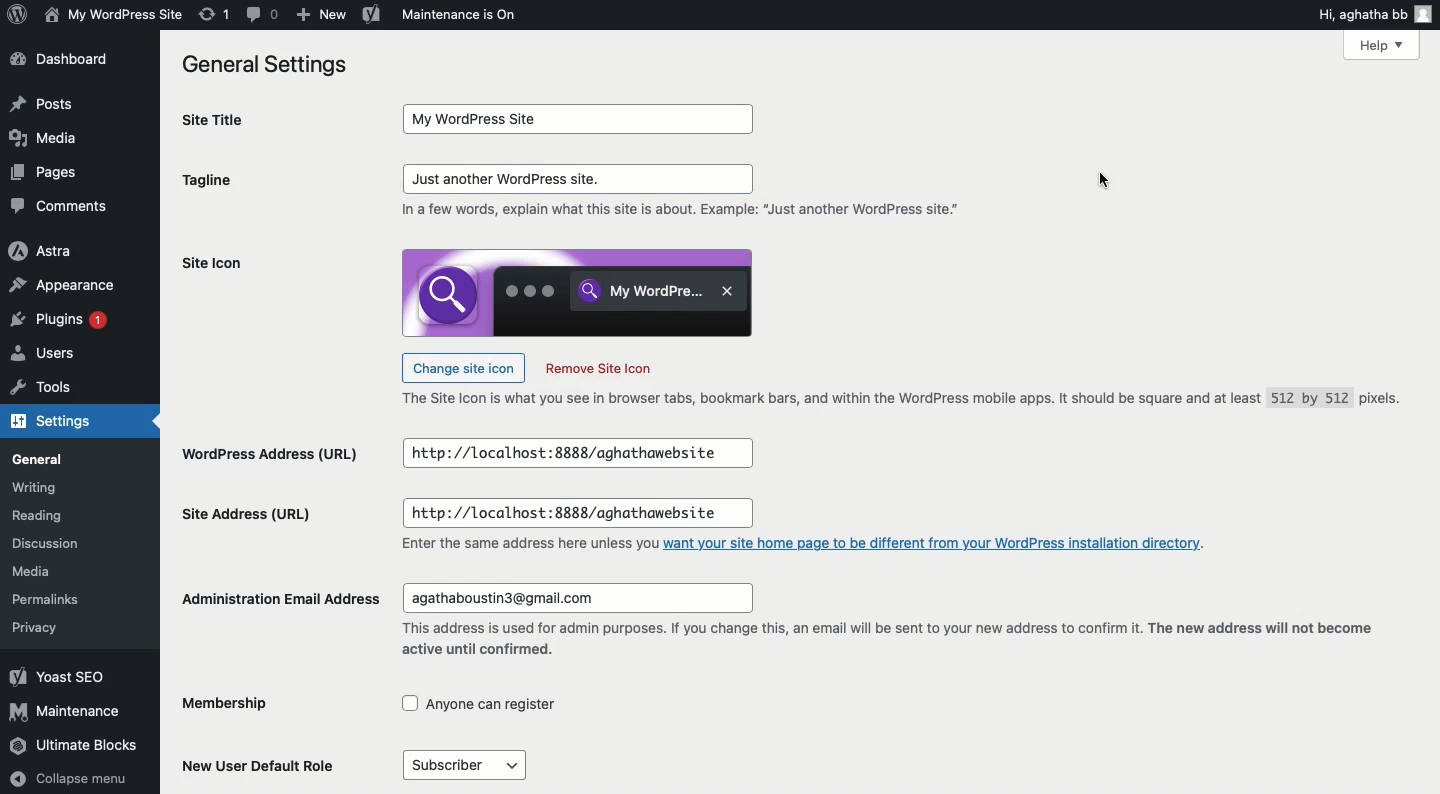 The image size is (1440, 794). What do you see at coordinates (42, 252) in the screenshot?
I see `Astra` at bounding box center [42, 252].